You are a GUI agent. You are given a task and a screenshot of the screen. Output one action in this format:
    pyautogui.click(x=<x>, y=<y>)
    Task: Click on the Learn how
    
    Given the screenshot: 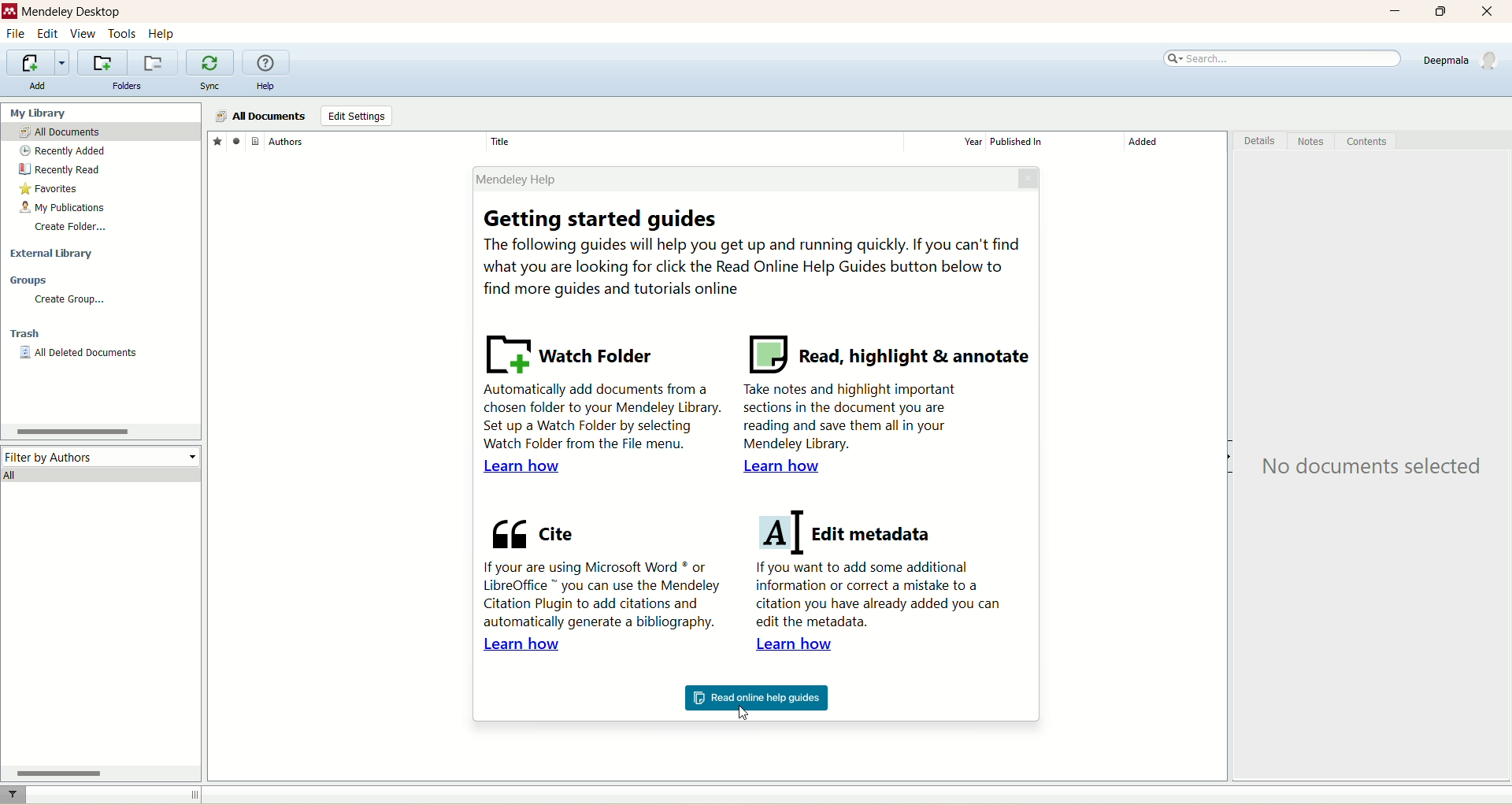 What is the action you would take?
    pyautogui.click(x=524, y=467)
    